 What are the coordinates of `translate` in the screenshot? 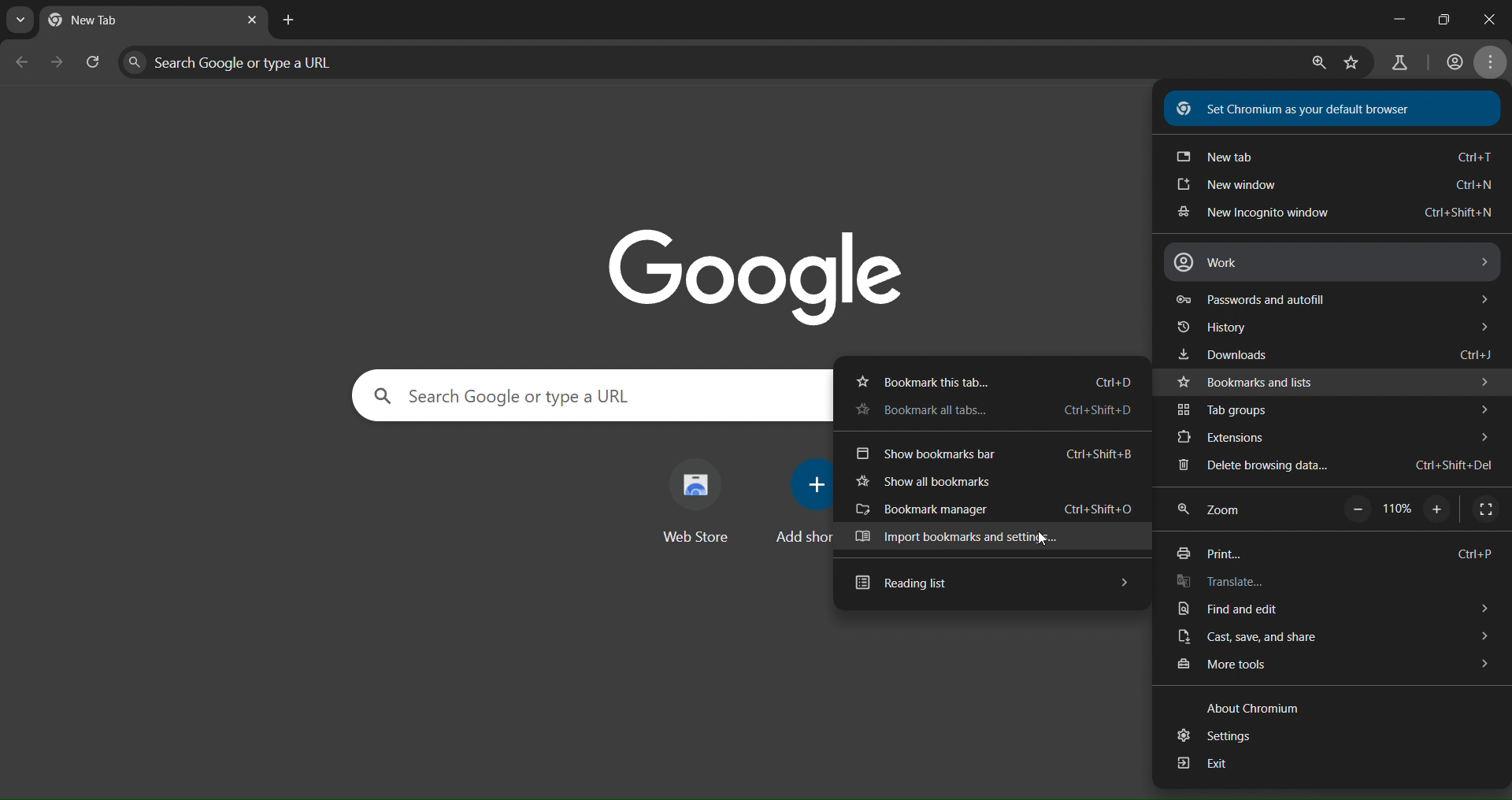 It's located at (1224, 583).